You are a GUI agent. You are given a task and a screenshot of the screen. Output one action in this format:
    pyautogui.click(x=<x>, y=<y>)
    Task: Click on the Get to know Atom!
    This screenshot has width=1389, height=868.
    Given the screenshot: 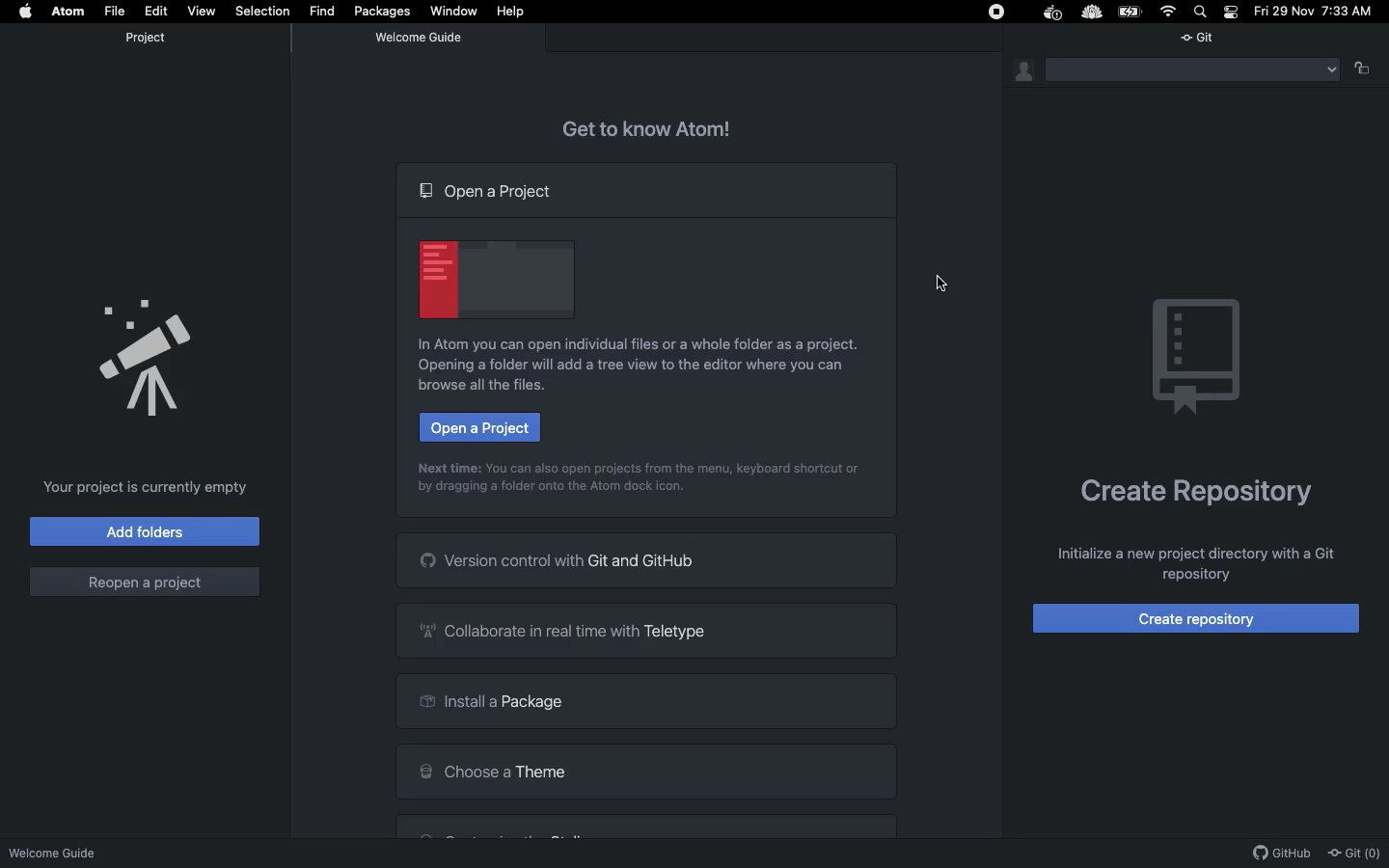 What is the action you would take?
    pyautogui.click(x=641, y=126)
    